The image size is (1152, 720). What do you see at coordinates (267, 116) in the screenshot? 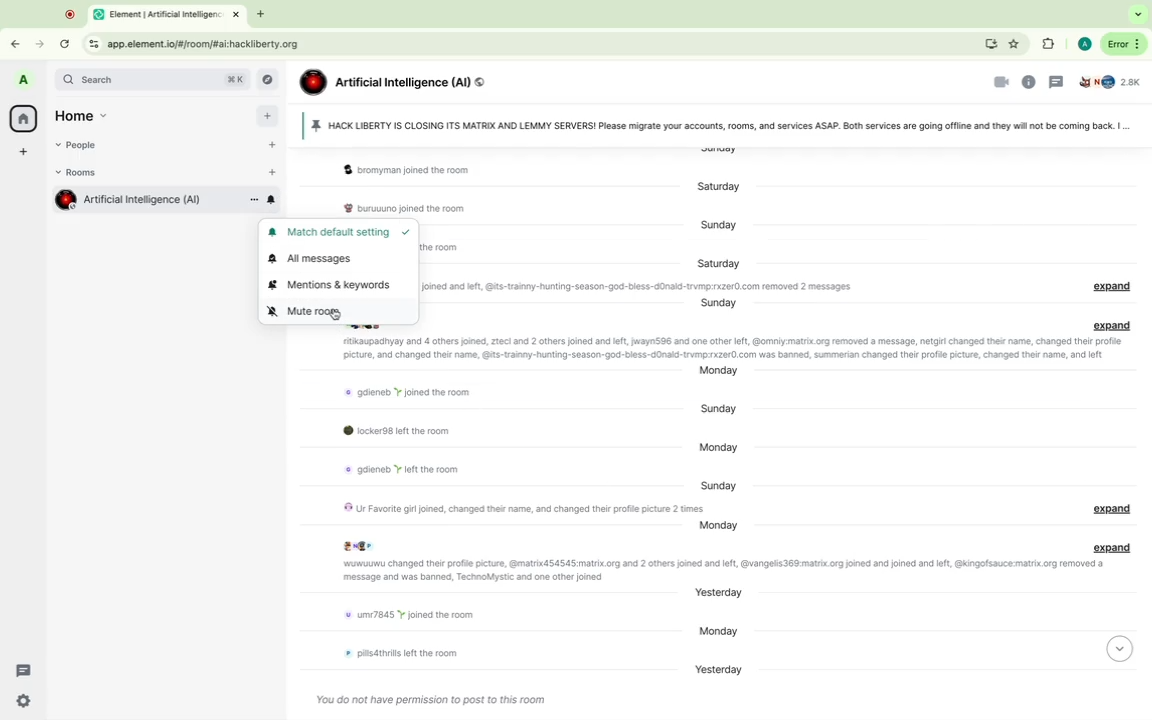
I see `Add` at bounding box center [267, 116].